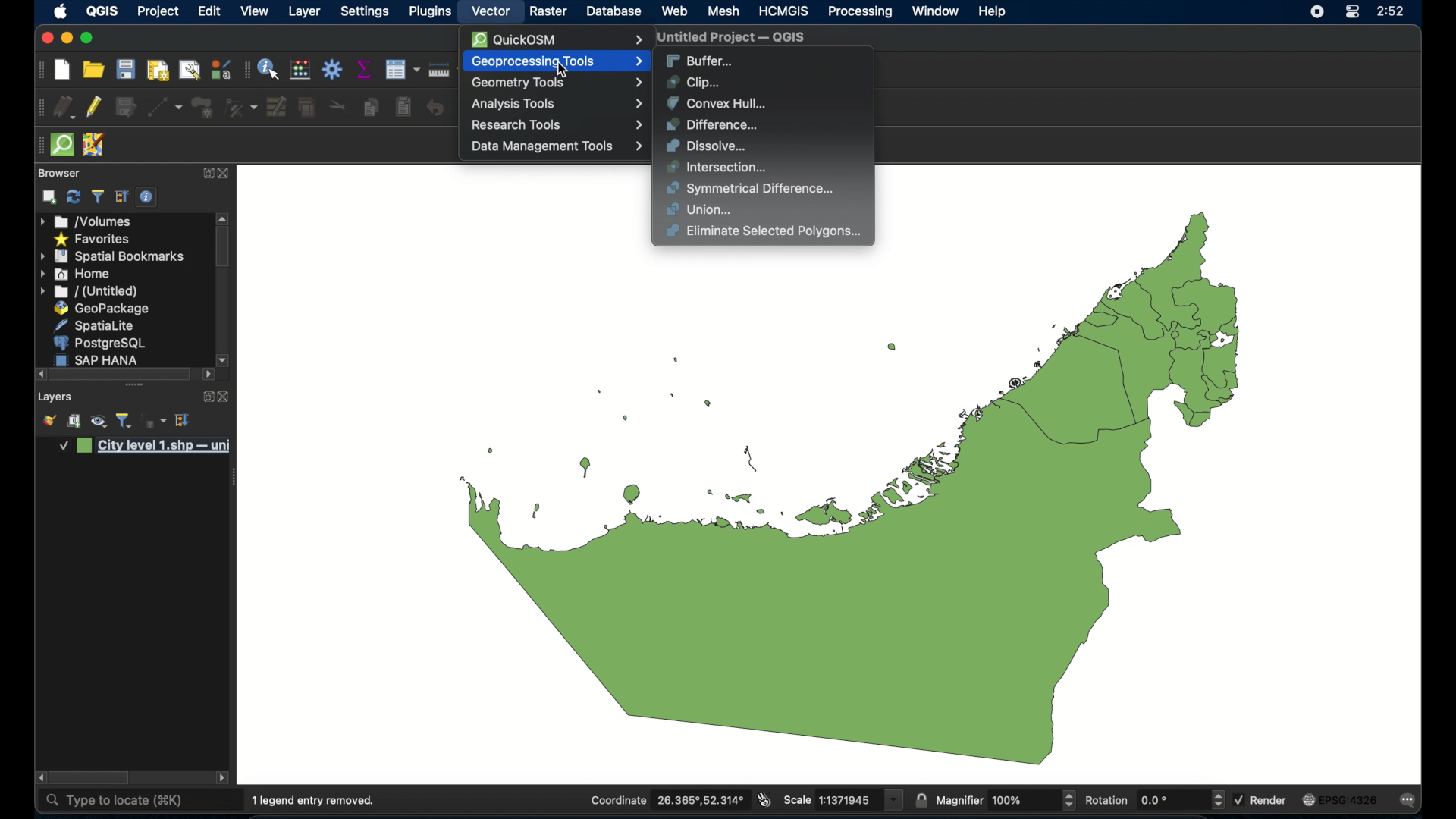 The height and width of the screenshot is (819, 1456). What do you see at coordinates (96, 325) in the screenshot?
I see `spatial lite` at bounding box center [96, 325].